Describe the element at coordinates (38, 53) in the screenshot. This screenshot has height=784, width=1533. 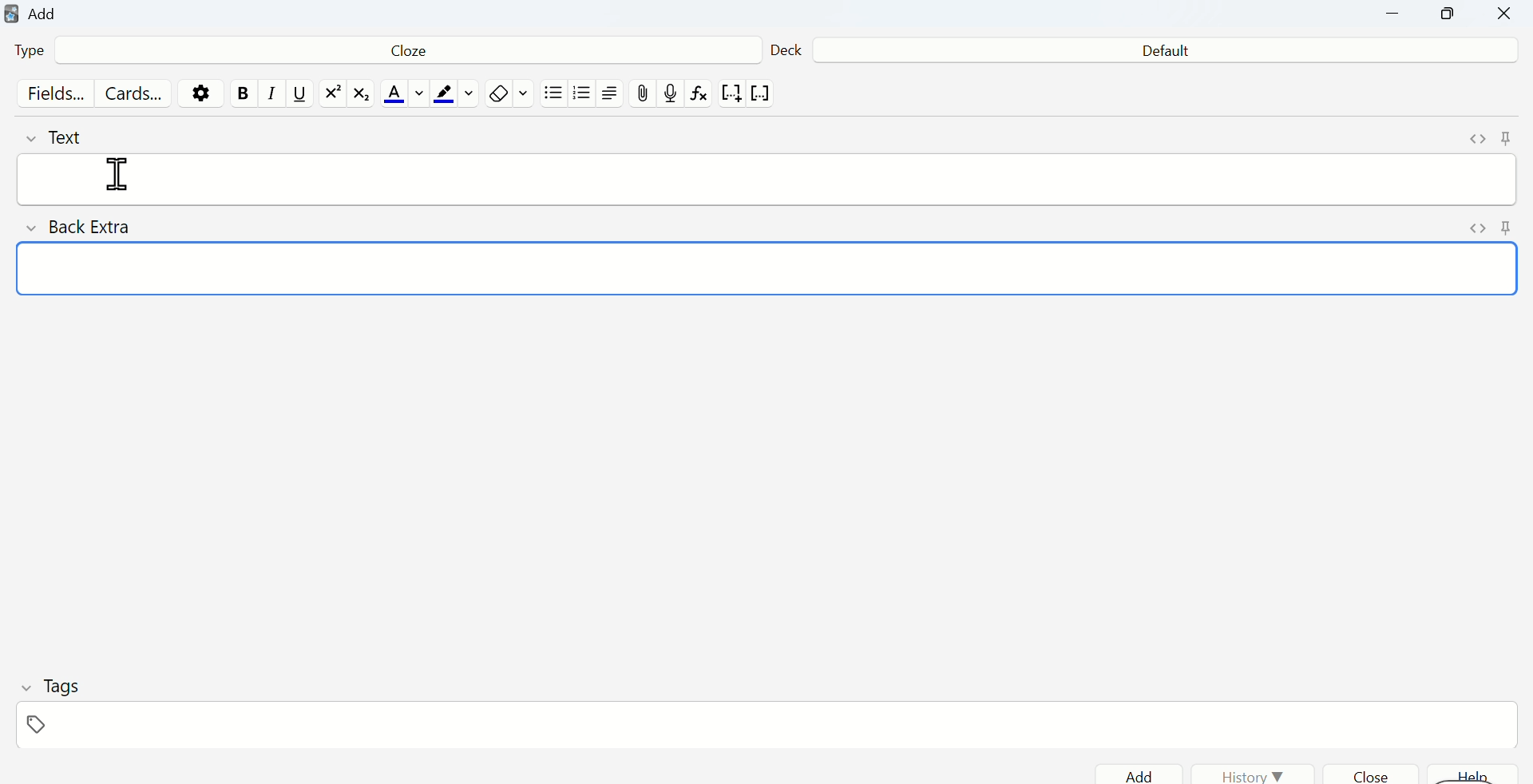
I see `Type` at that location.